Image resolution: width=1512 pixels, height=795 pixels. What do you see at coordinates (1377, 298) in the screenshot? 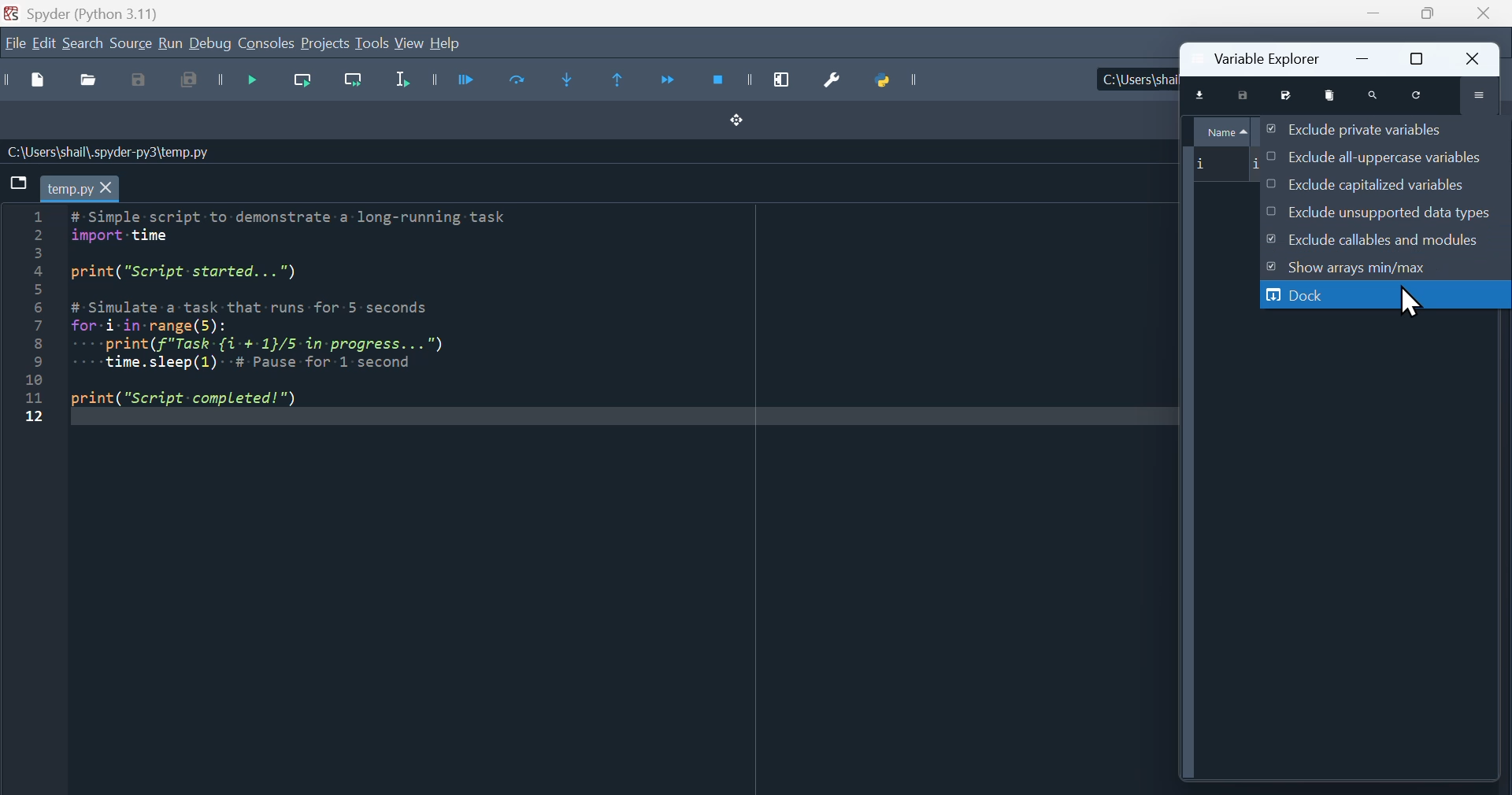
I see `dock` at bounding box center [1377, 298].